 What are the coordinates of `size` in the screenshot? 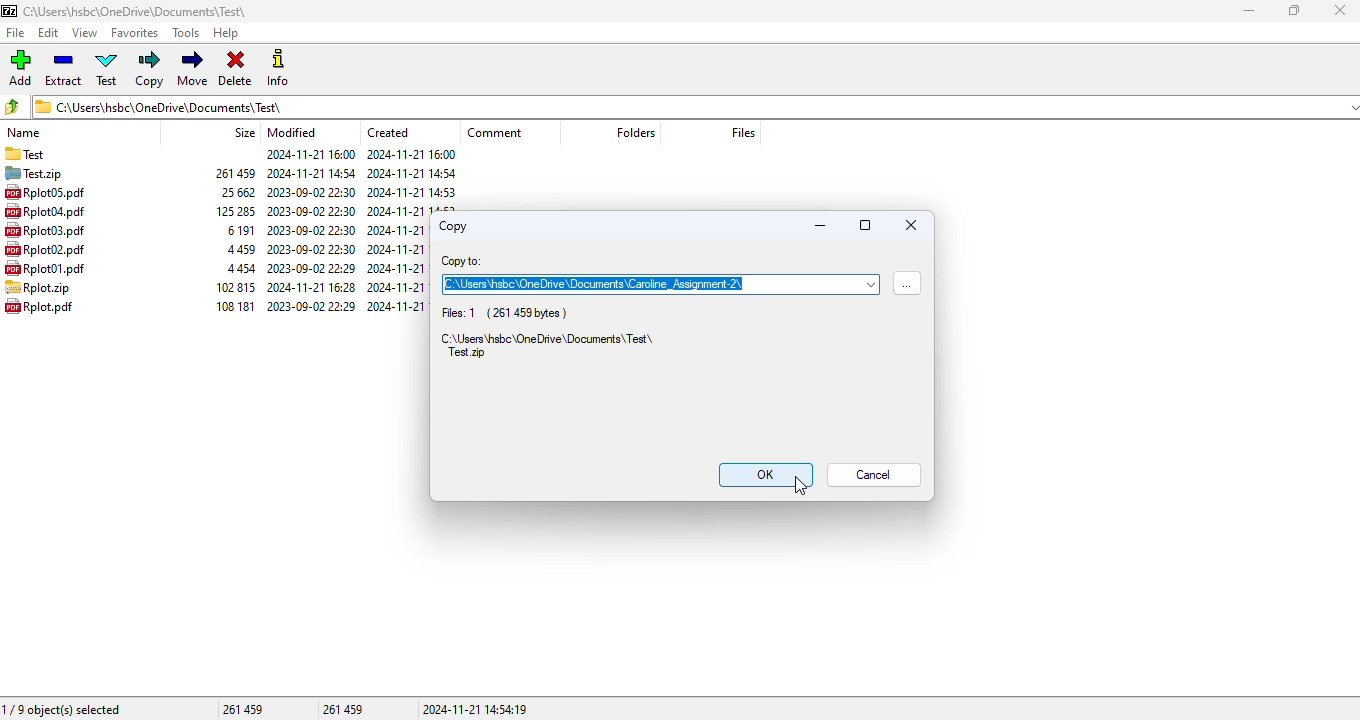 It's located at (238, 230).